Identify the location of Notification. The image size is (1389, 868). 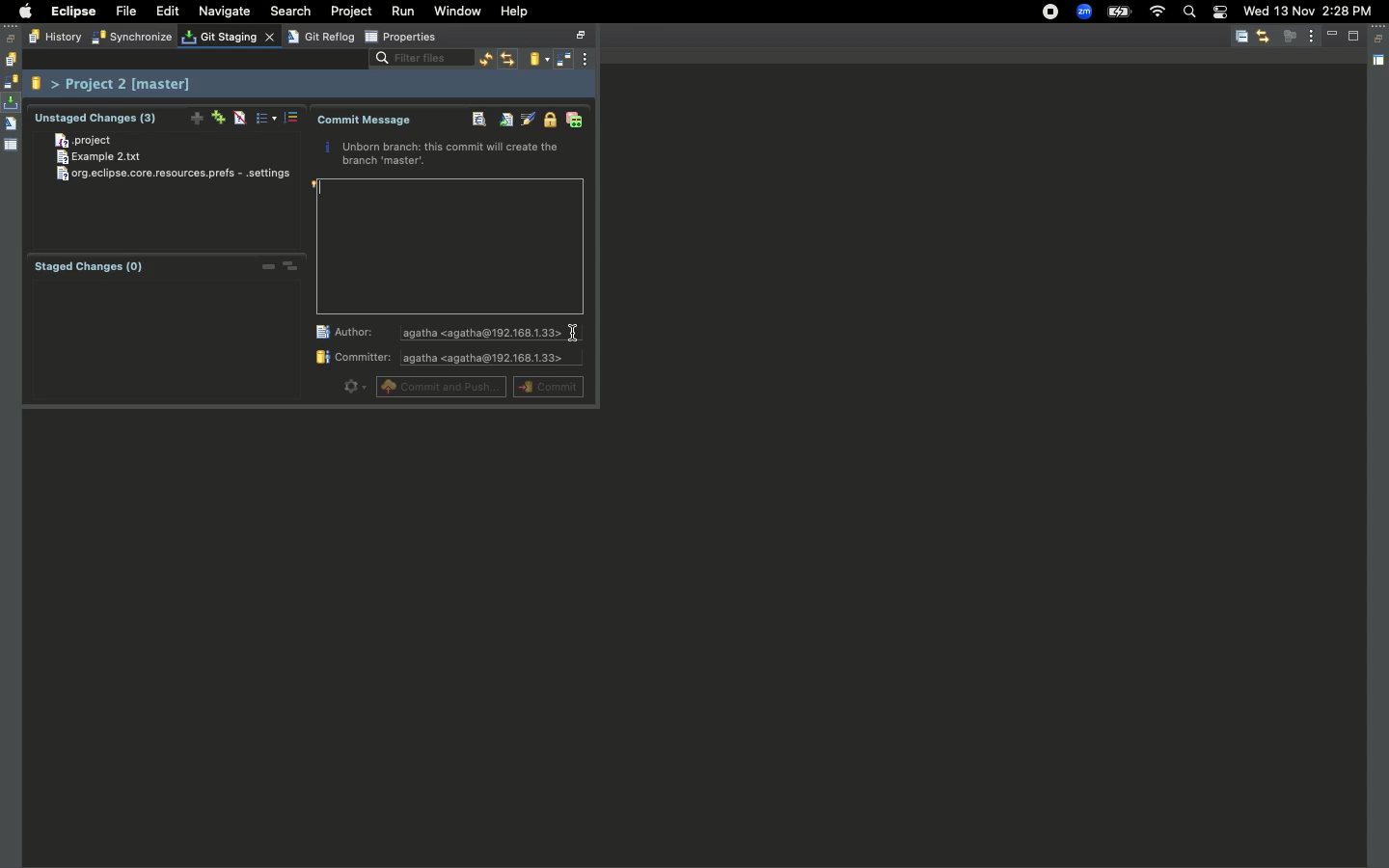
(1219, 14).